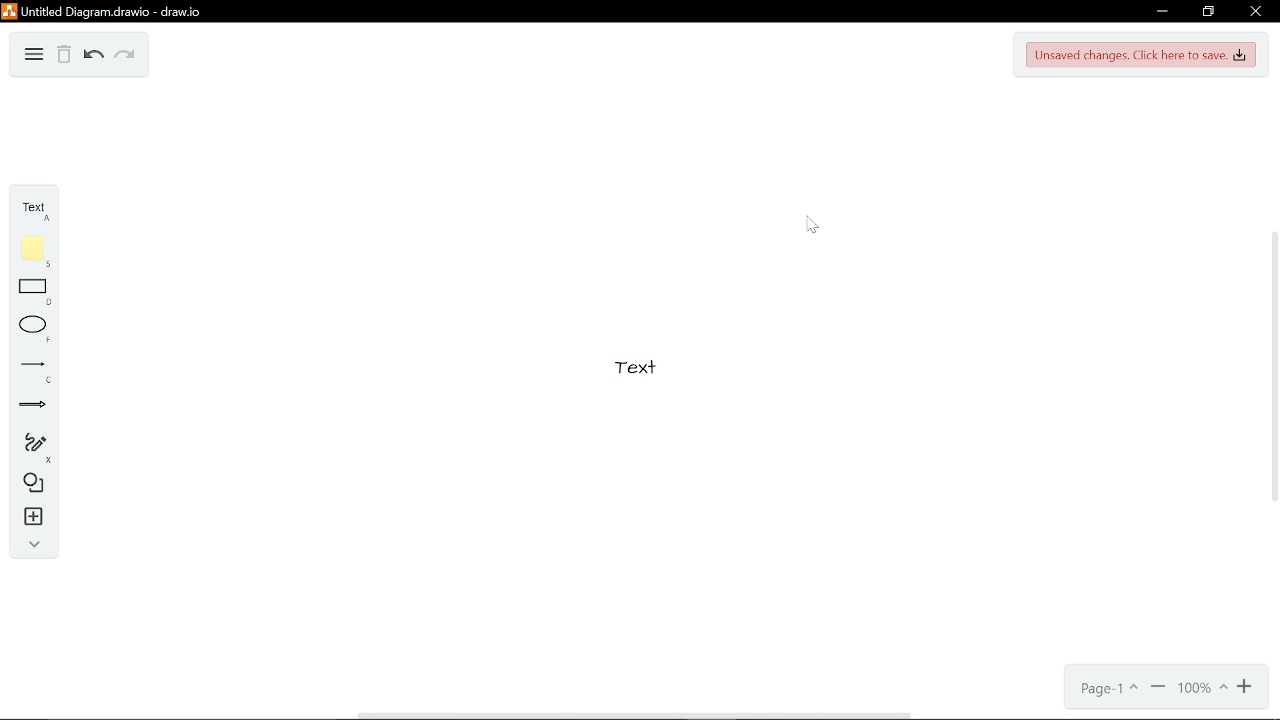 The width and height of the screenshot is (1280, 720). What do you see at coordinates (1208, 13) in the screenshot?
I see `Restore down` at bounding box center [1208, 13].